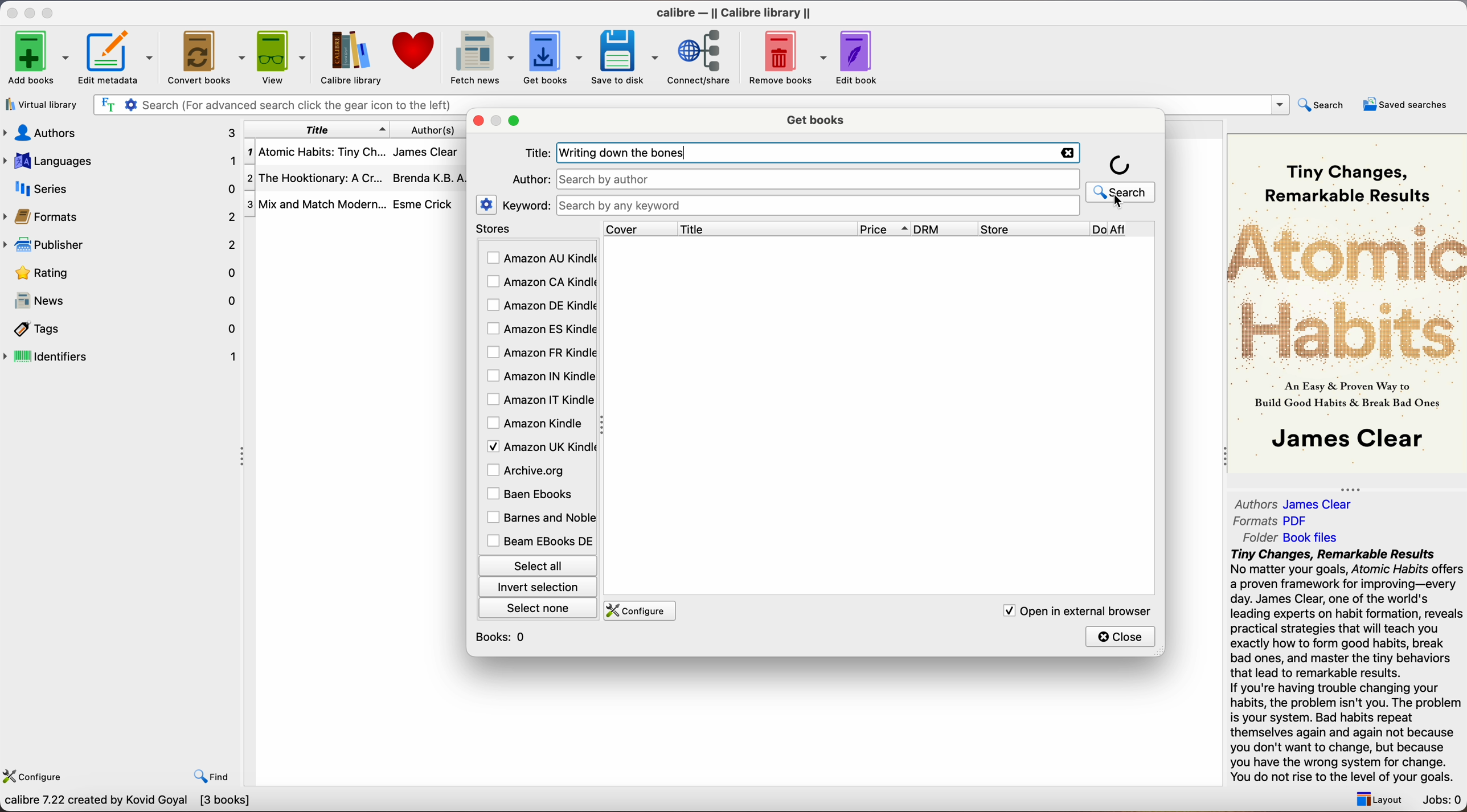  I want to click on find, so click(212, 776).